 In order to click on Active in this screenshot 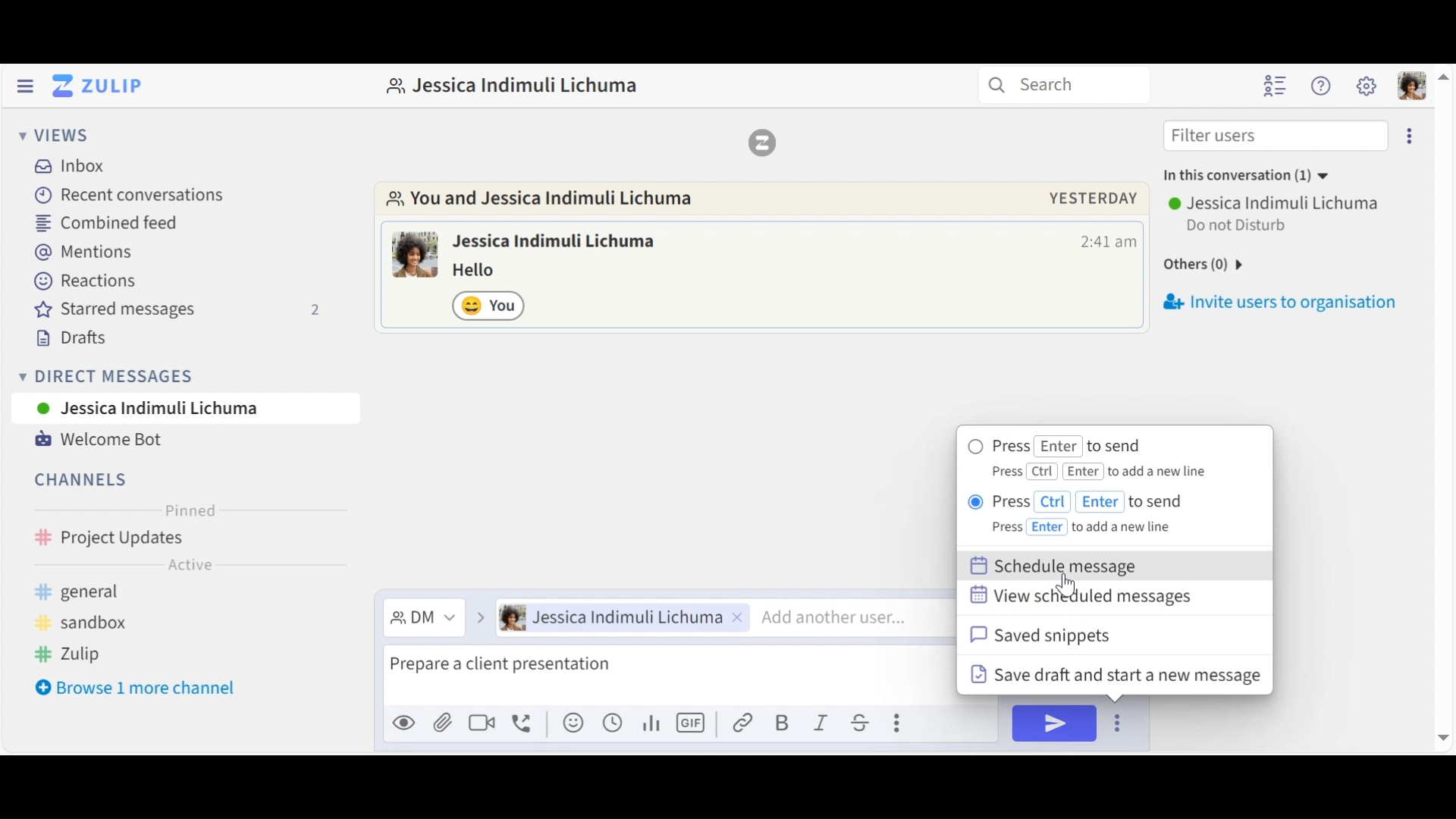, I will do `click(190, 567)`.